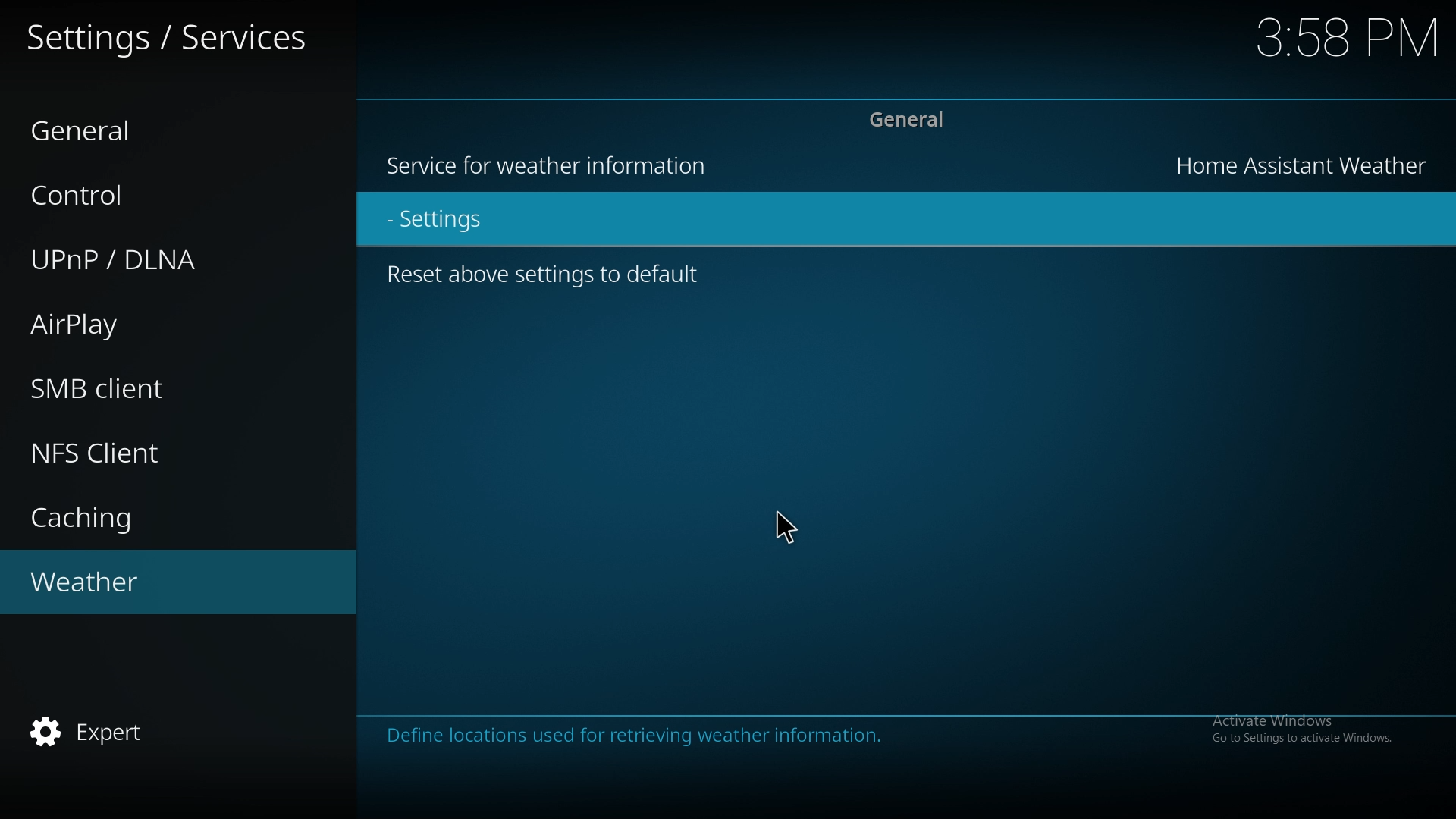 This screenshot has width=1456, height=819. I want to click on cursor, so click(785, 529).